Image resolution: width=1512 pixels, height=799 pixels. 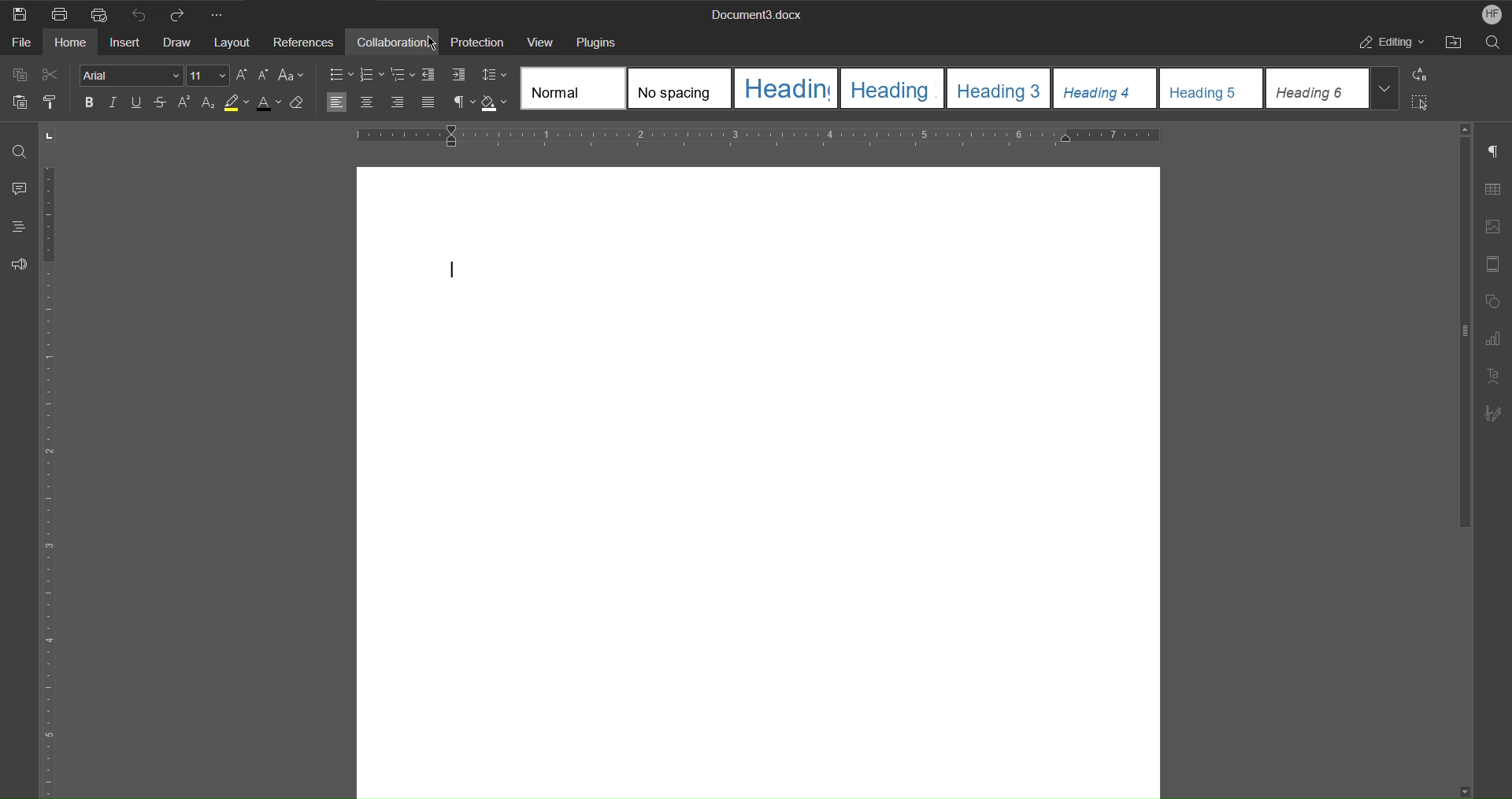 I want to click on Clear all formatting, so click(x=300, y=102).